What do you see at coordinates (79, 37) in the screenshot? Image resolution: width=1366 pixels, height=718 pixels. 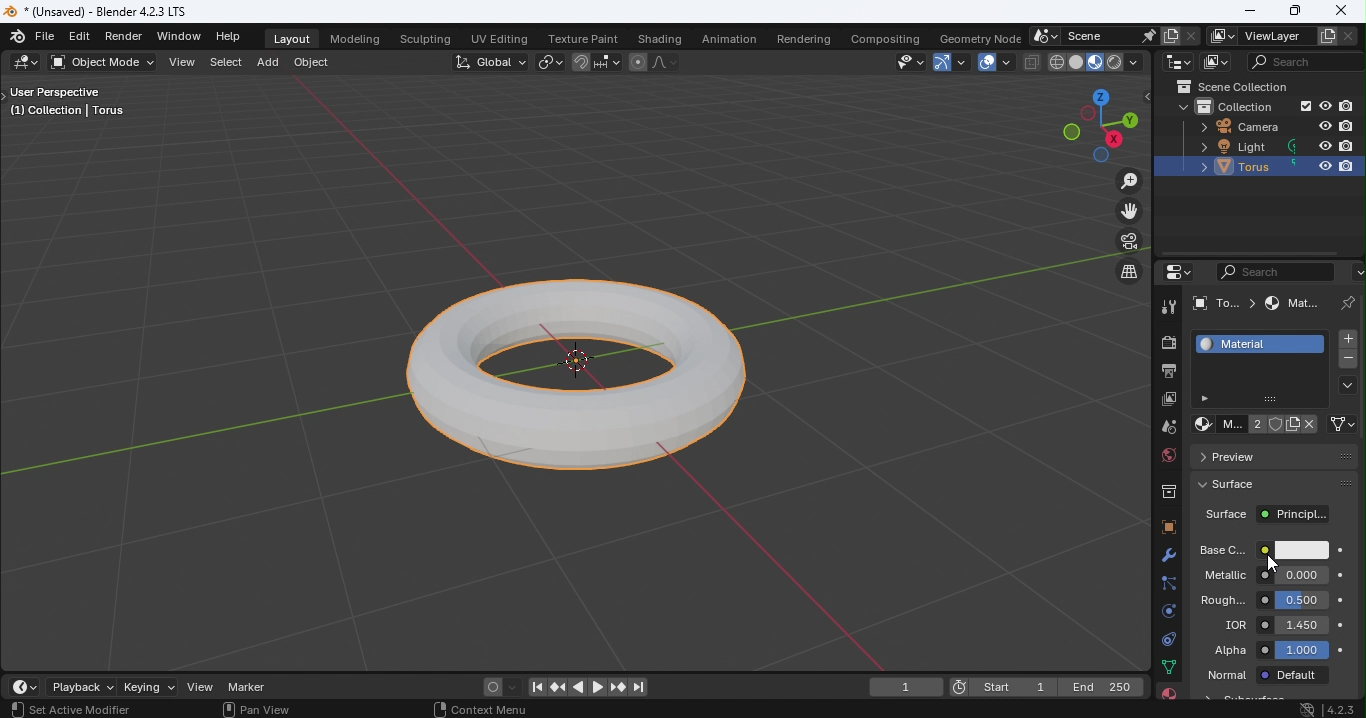 I see `Edit` at bounding box center [79, 37].